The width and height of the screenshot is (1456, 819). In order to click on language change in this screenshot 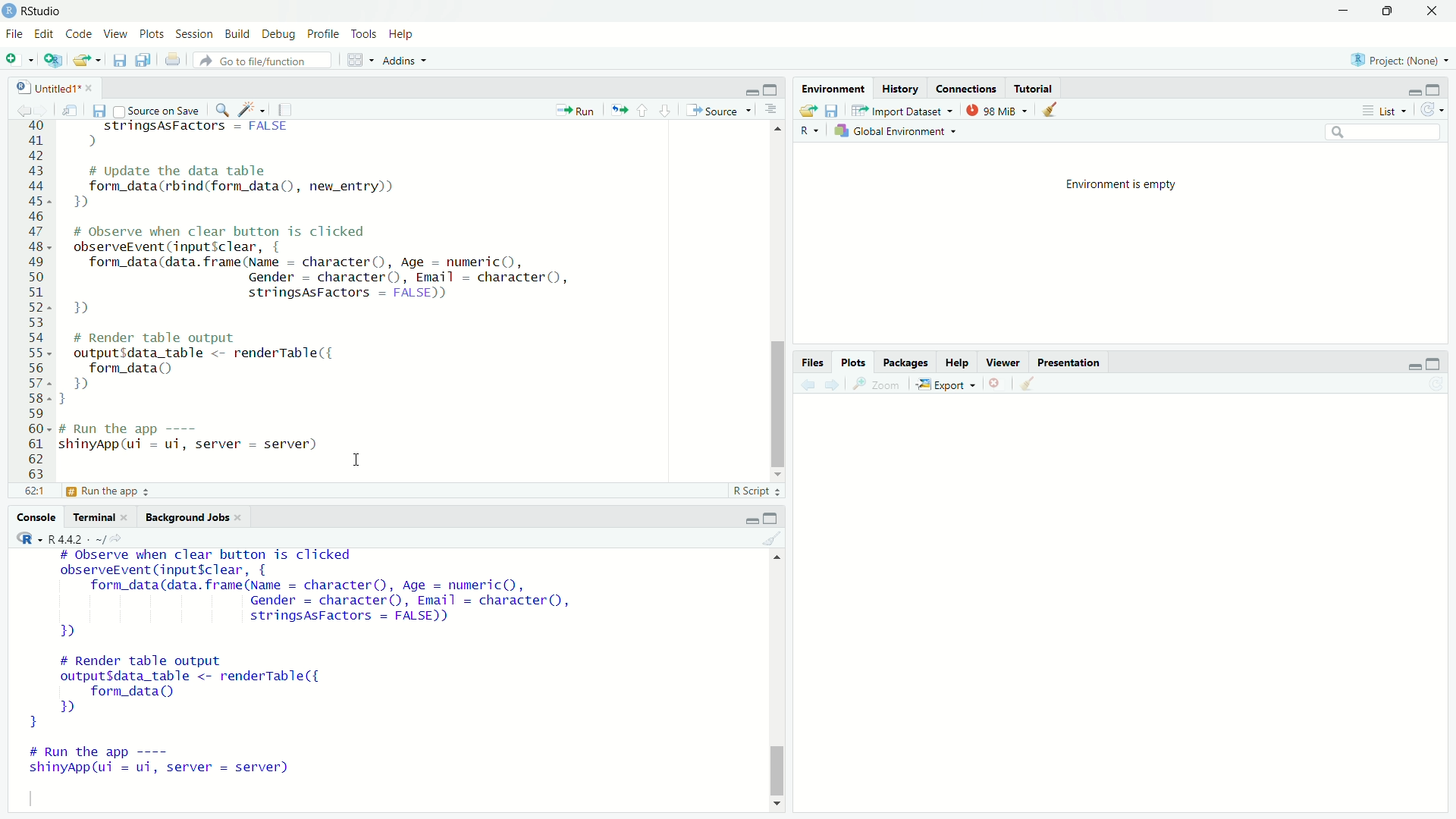, I will do `click(808, 131)`.